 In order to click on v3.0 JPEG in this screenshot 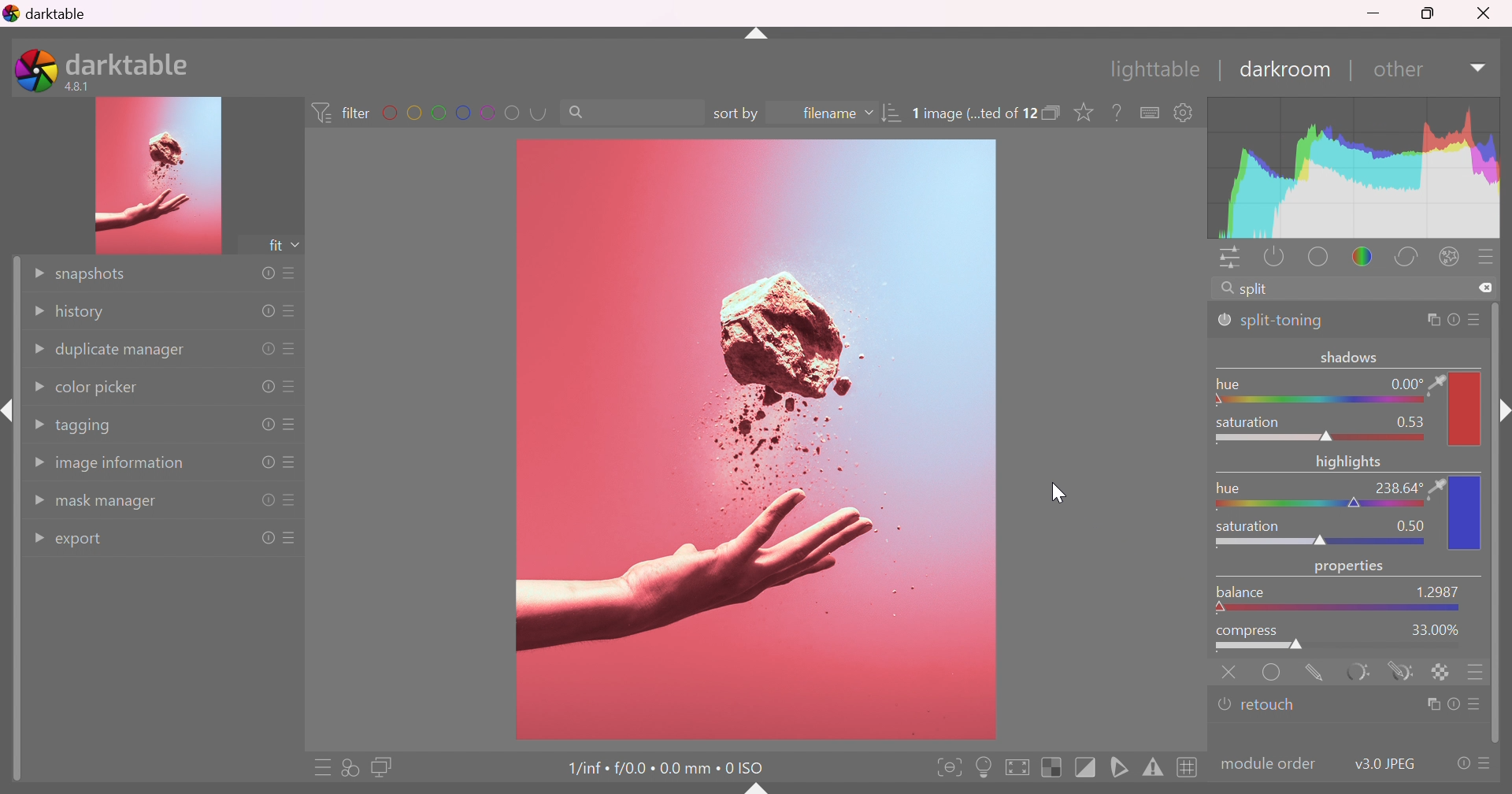, I will do `click(1386, 762)`.